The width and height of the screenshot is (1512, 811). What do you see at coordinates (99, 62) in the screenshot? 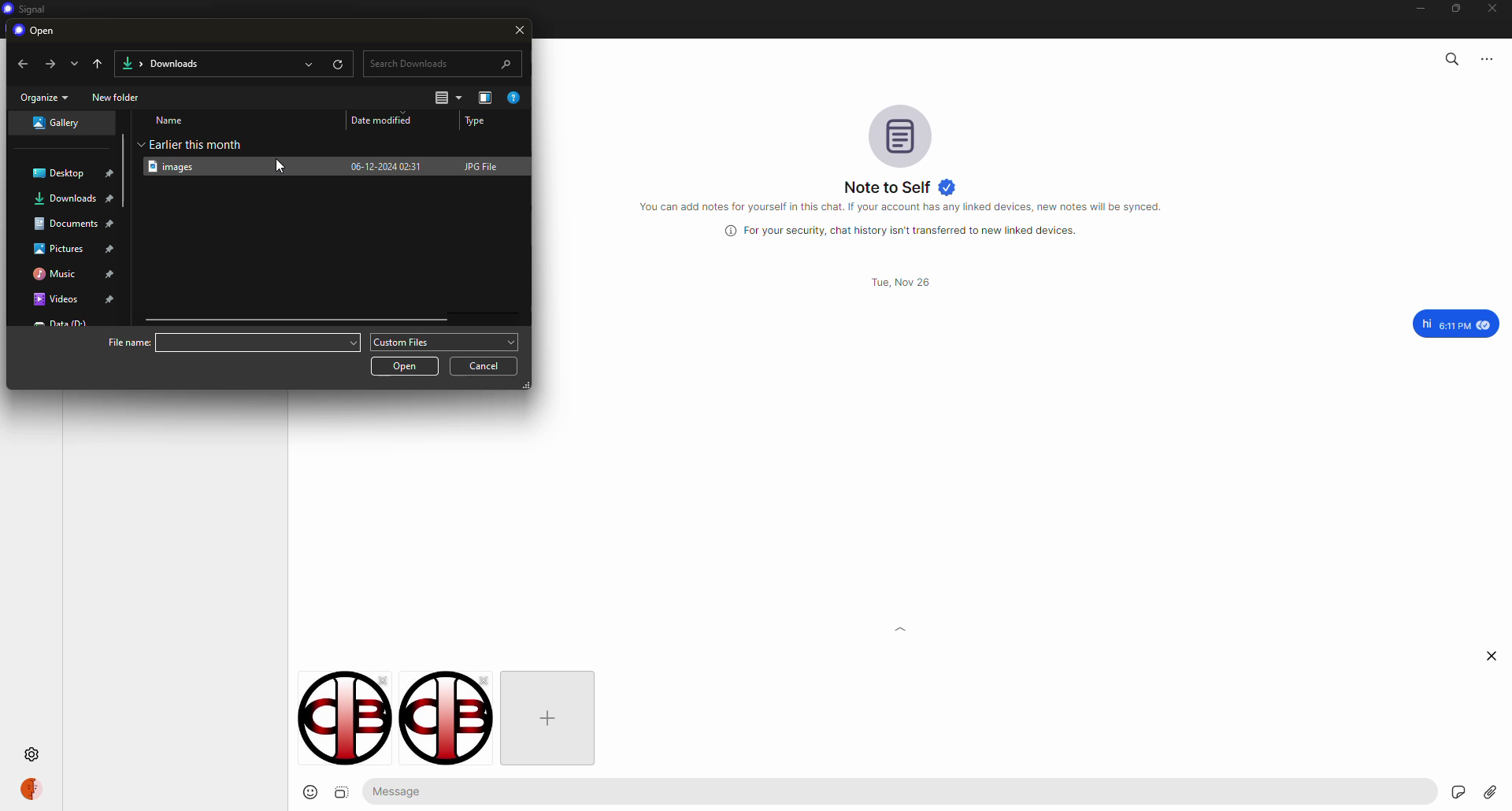
I see `go back` at bounding box center [99, 62].